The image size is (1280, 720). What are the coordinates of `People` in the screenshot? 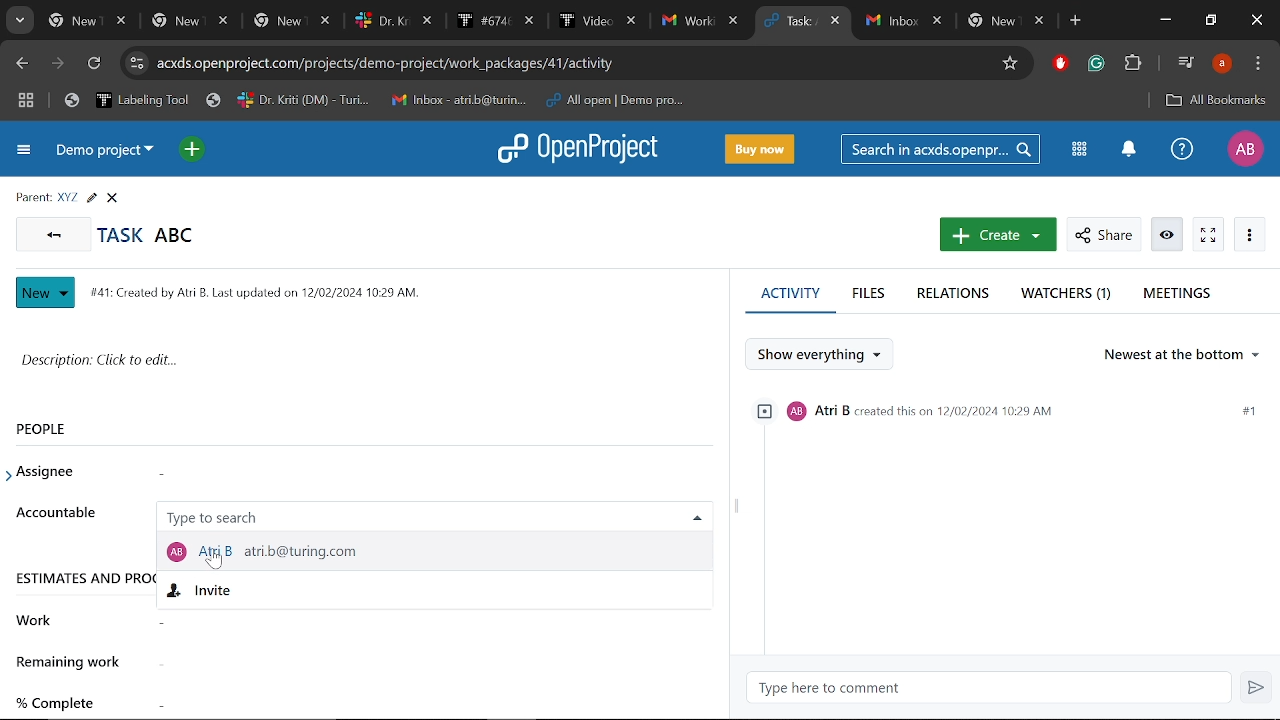 It's located at (99, 429).